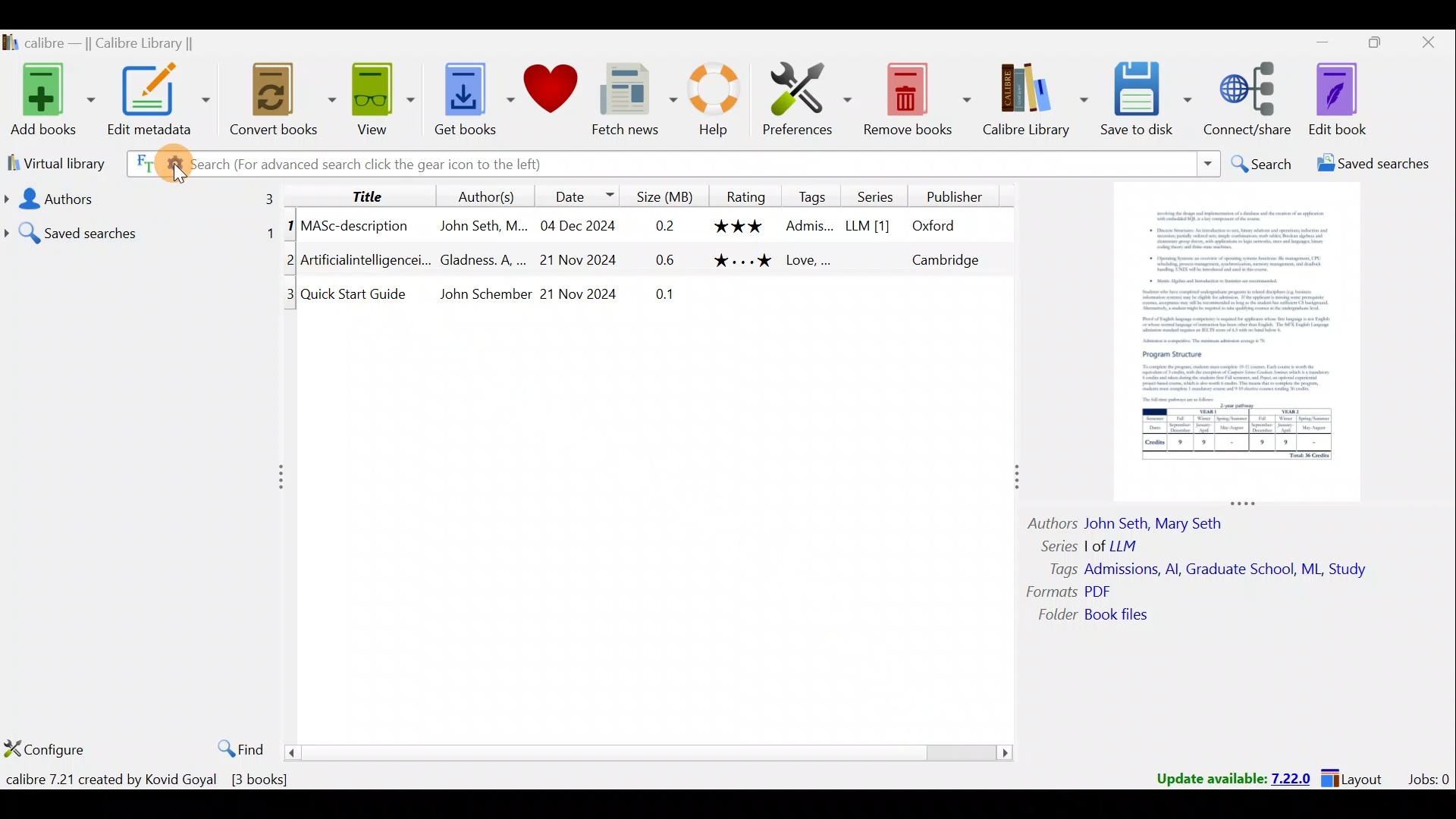  What do you see at coordinates (809, 96) in the screenshot?
I see `Preferences` at bounding box center [809, 96].